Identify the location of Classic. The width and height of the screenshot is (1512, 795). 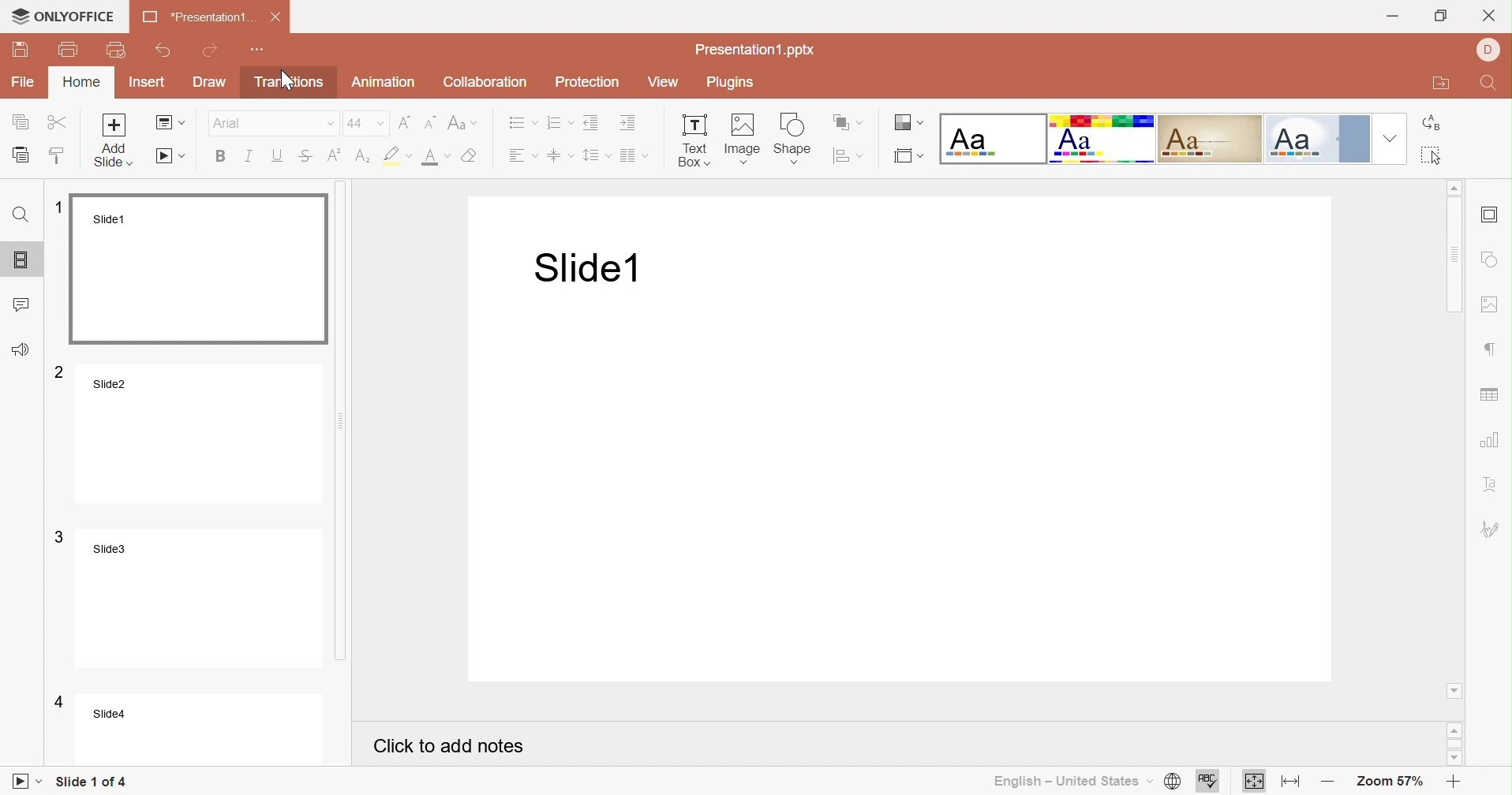
(1214, 141).